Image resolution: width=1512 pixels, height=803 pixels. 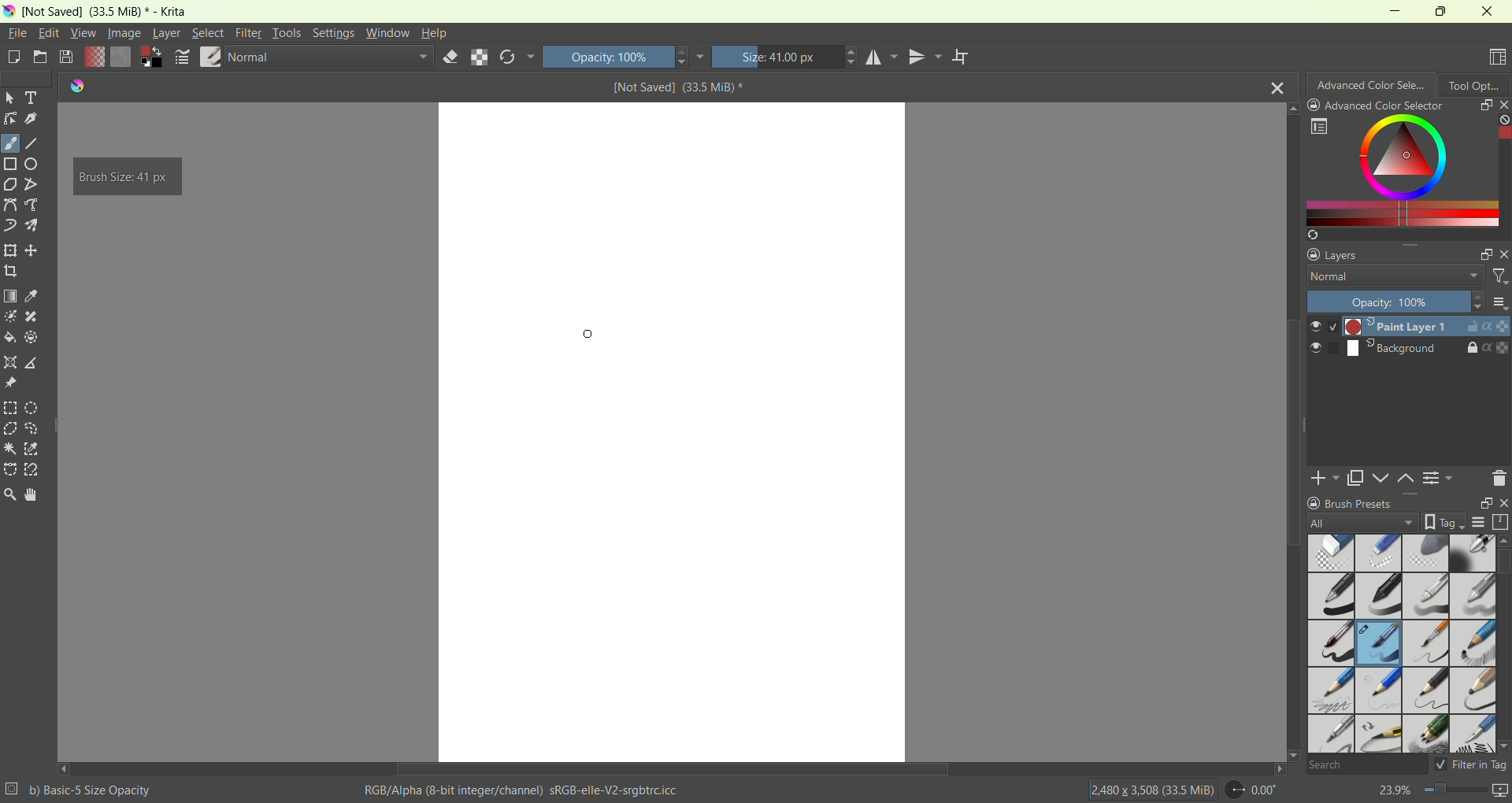 What do you see at coordinates (1380, 690) in the screenshot?
I see `pencil 1 hard` at bounding box center [1380, 690].